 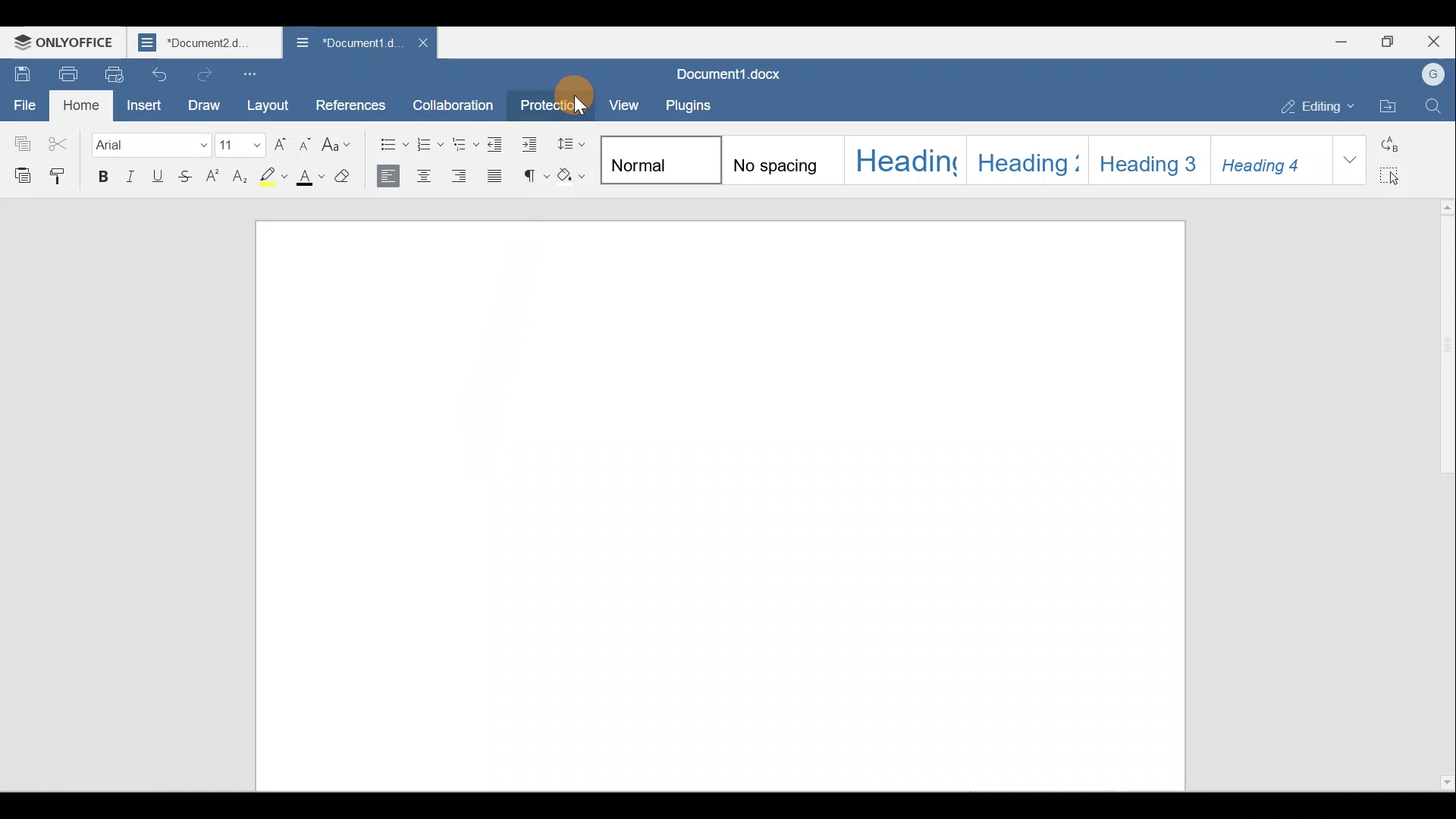 I want to click on Subscript, so click(x=244, y=176).